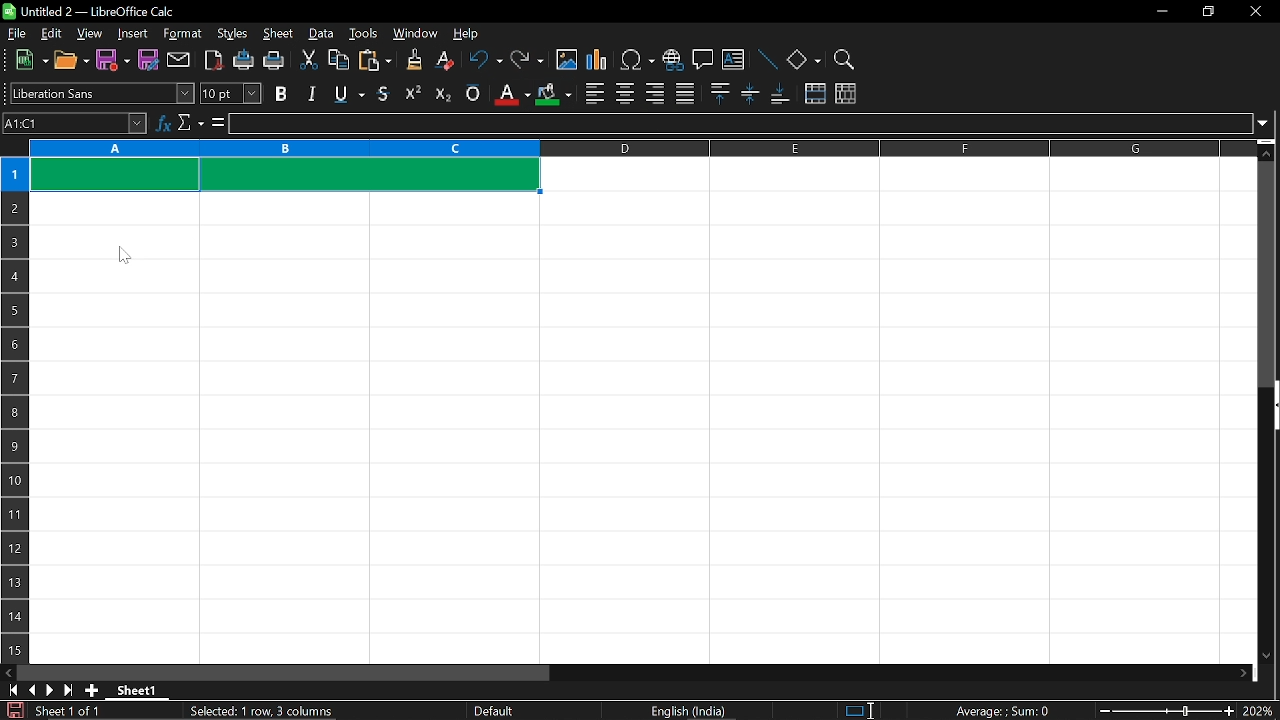 This screenshot has width=1280, height=720. What do you see at coordinates (133, 34) in the screenshot?
I see `insert` at bounding box center [133, 34].